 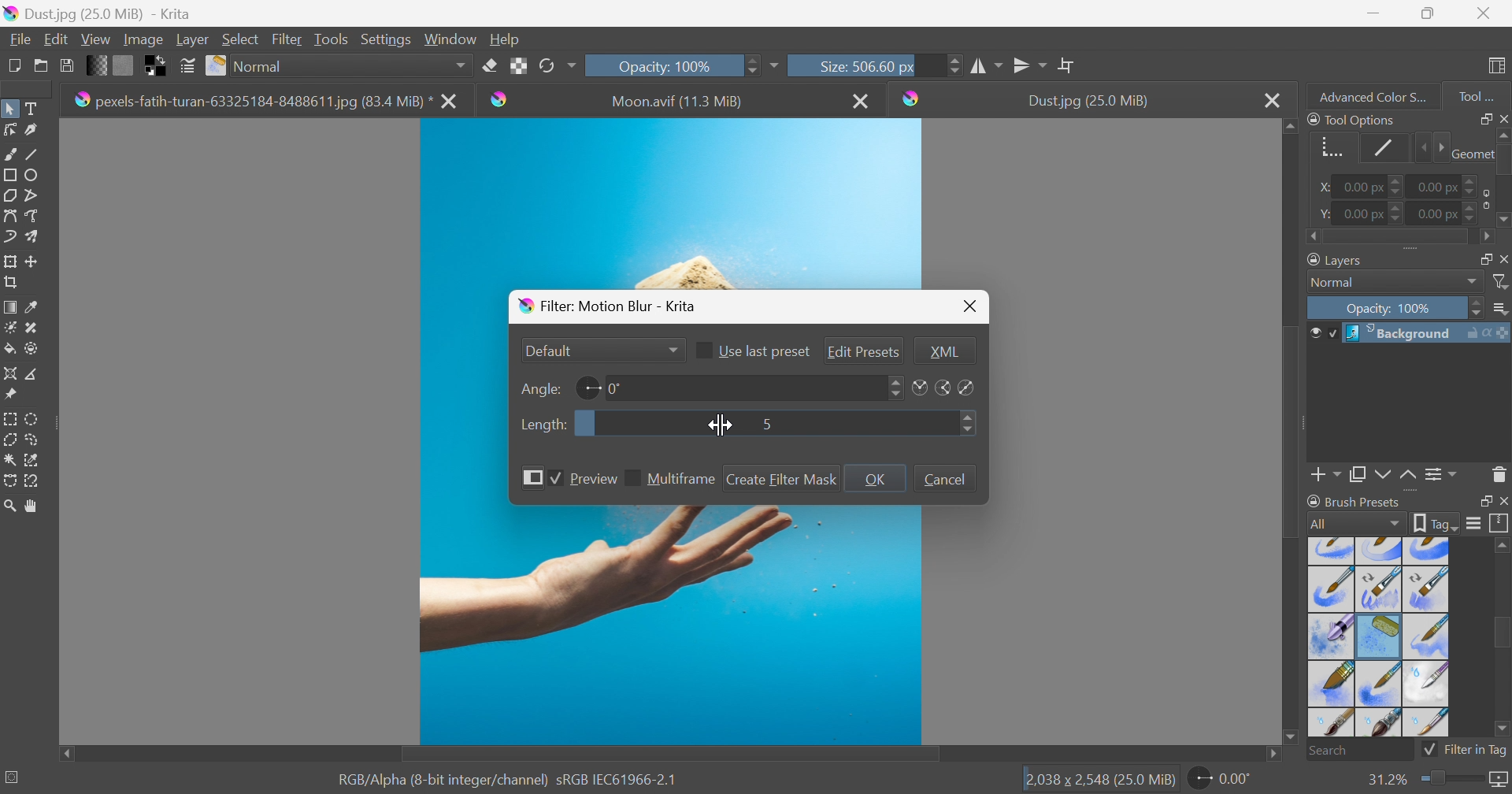 I want to click on Float Docker, so click(x=1483, y=118).